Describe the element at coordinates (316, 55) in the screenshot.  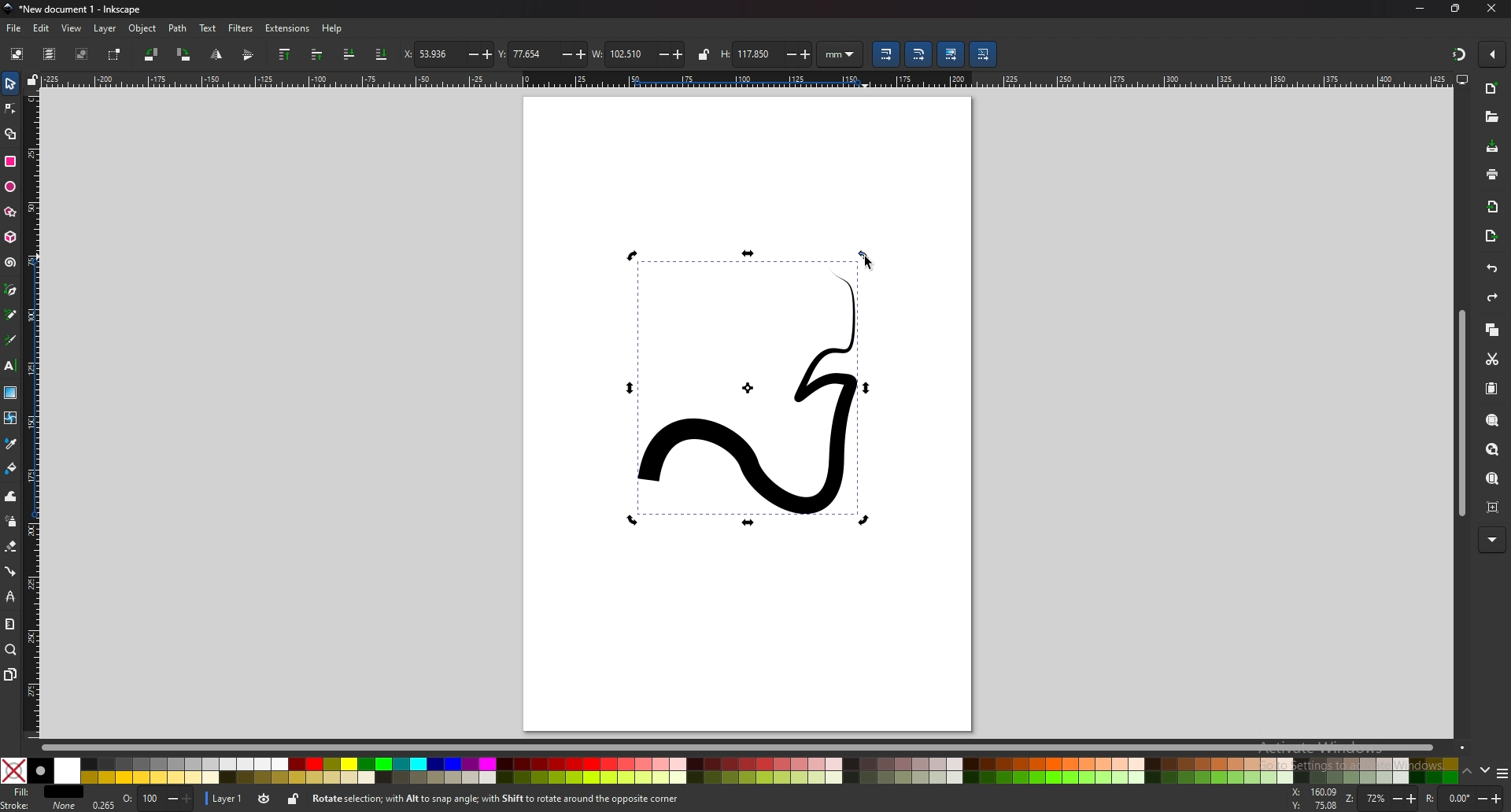
I see `raise selection one step` at that location.